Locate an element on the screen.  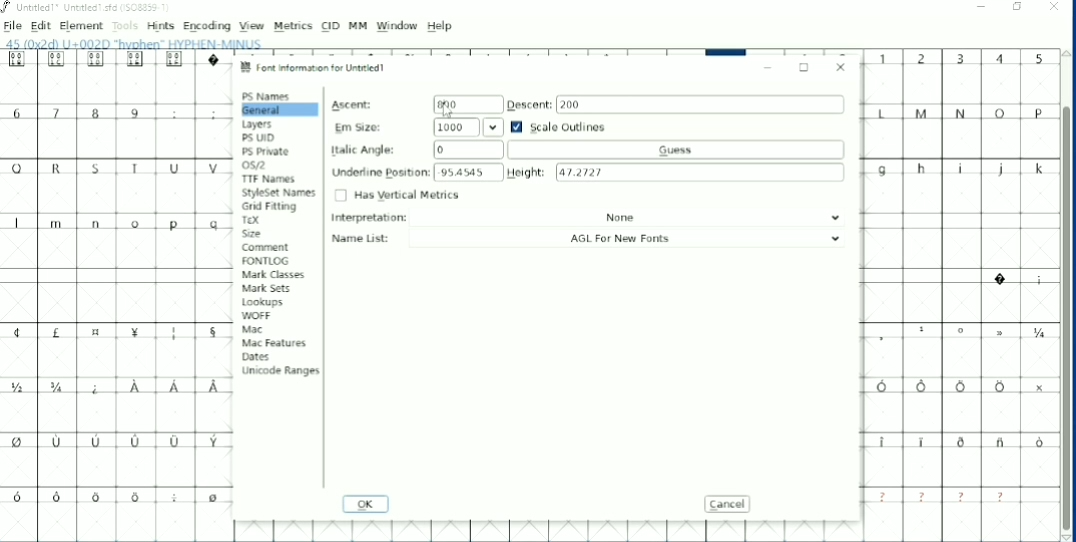
Name List is located at coordinates (592, 238).